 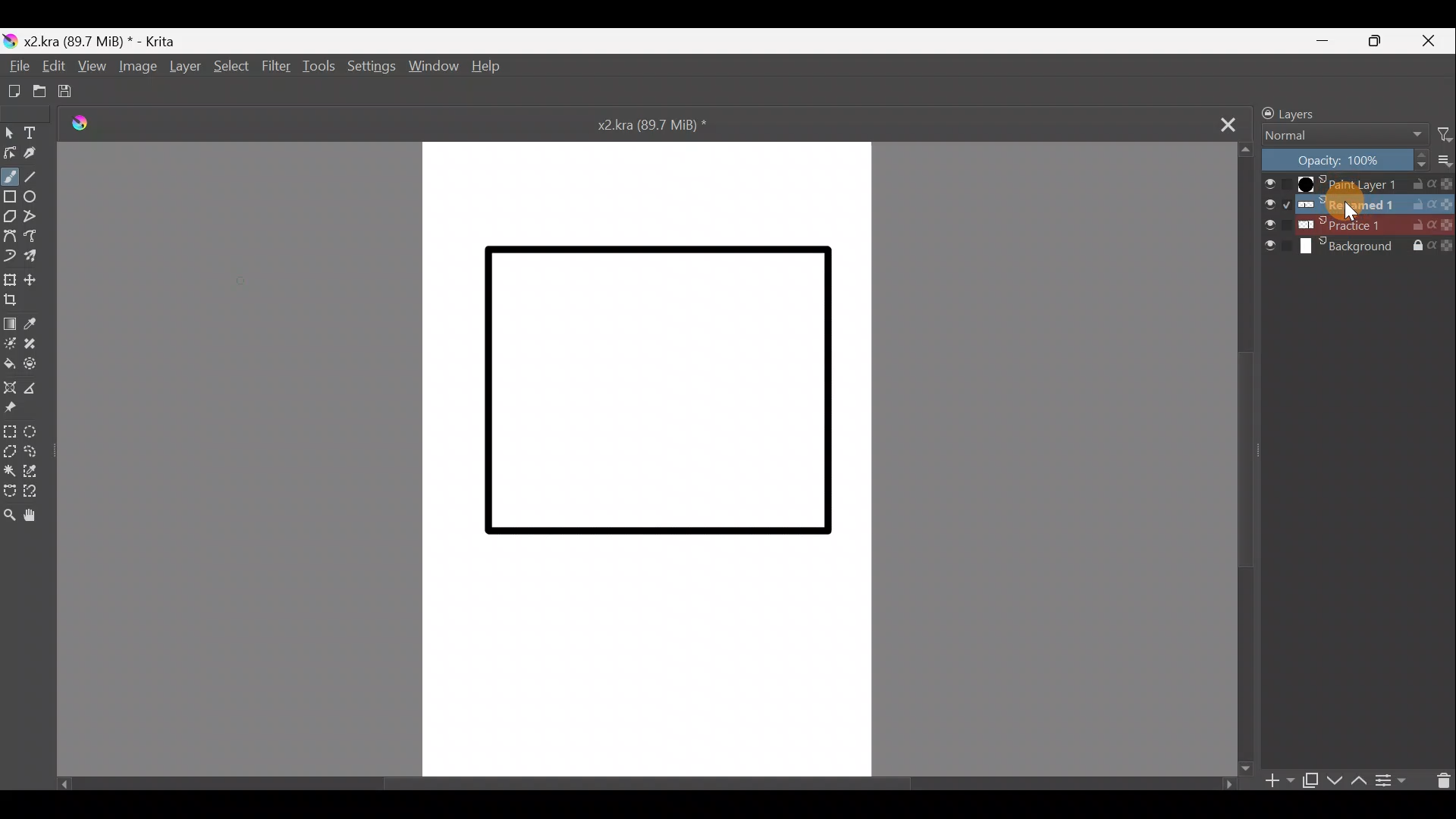 What do you see at coordinates (656, 124) in the screenshot?
I see `x2.kra (89.7 MiB) *` at bounding box center [656, 124].